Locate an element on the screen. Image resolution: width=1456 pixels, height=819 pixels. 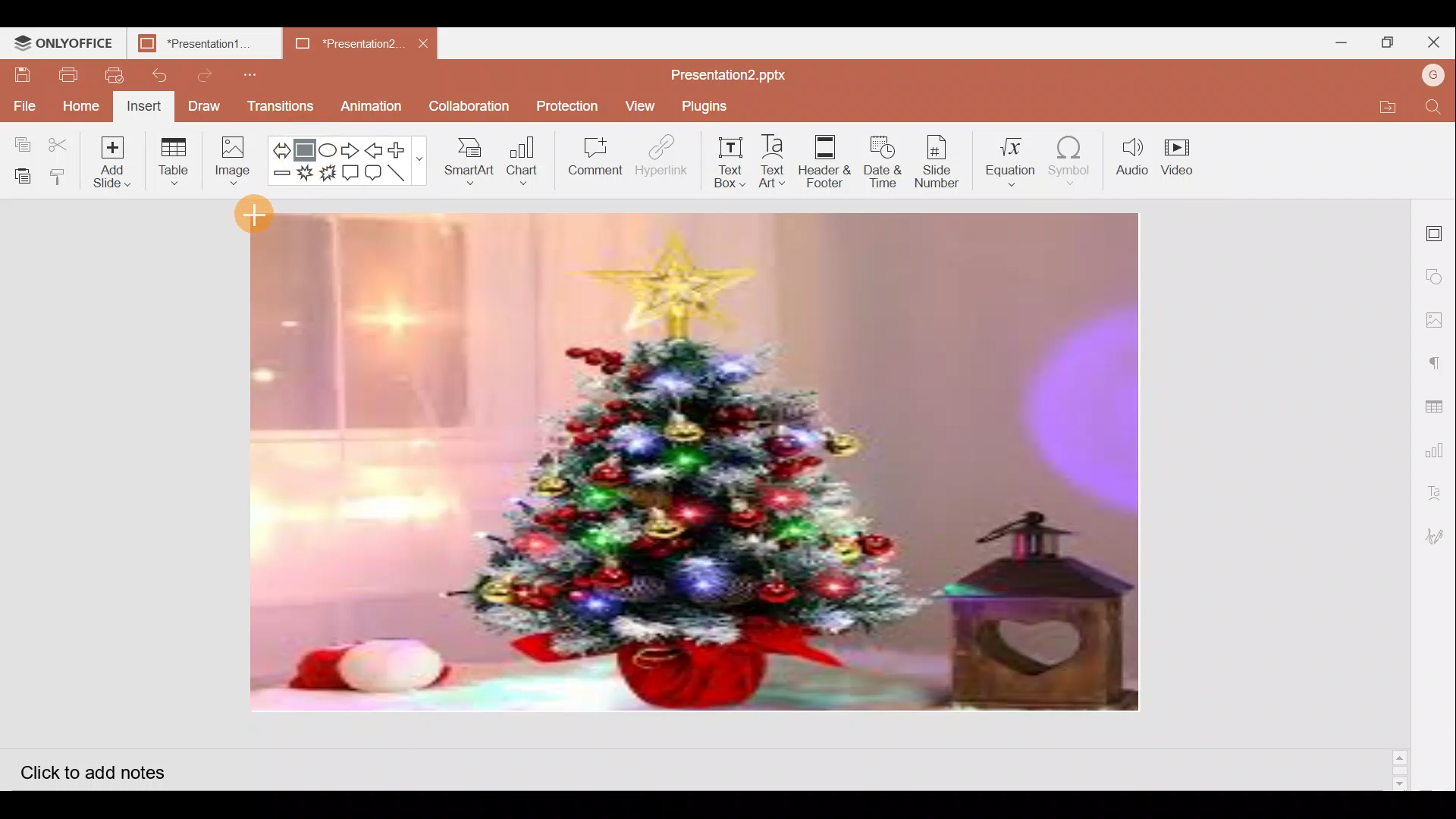
Open file location is located at coordinates (1397, 106).